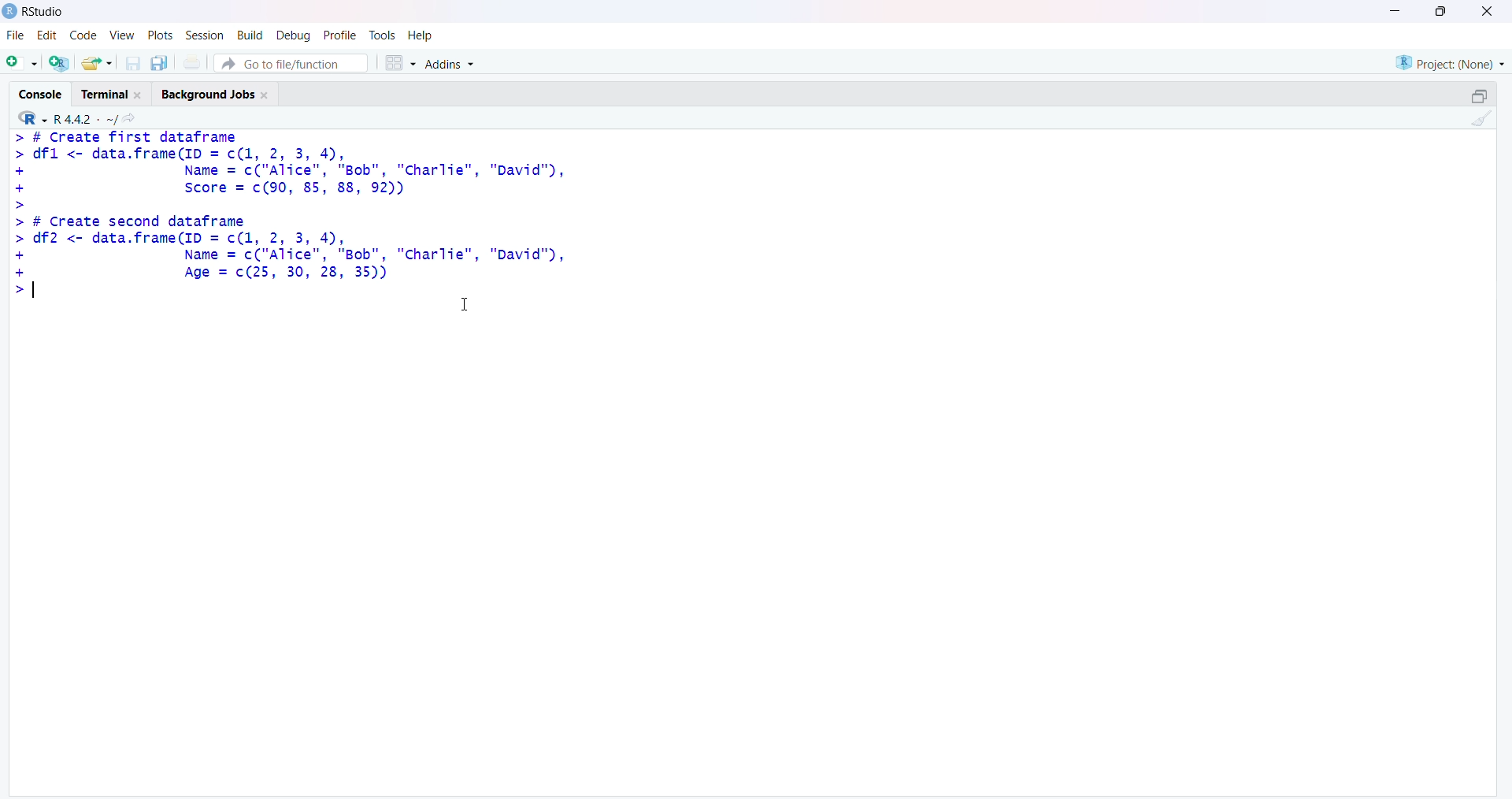 The image size is (1512, 799). Describe the element at coordinates (162, 36) in the screenshot. I see `plots` at that location.